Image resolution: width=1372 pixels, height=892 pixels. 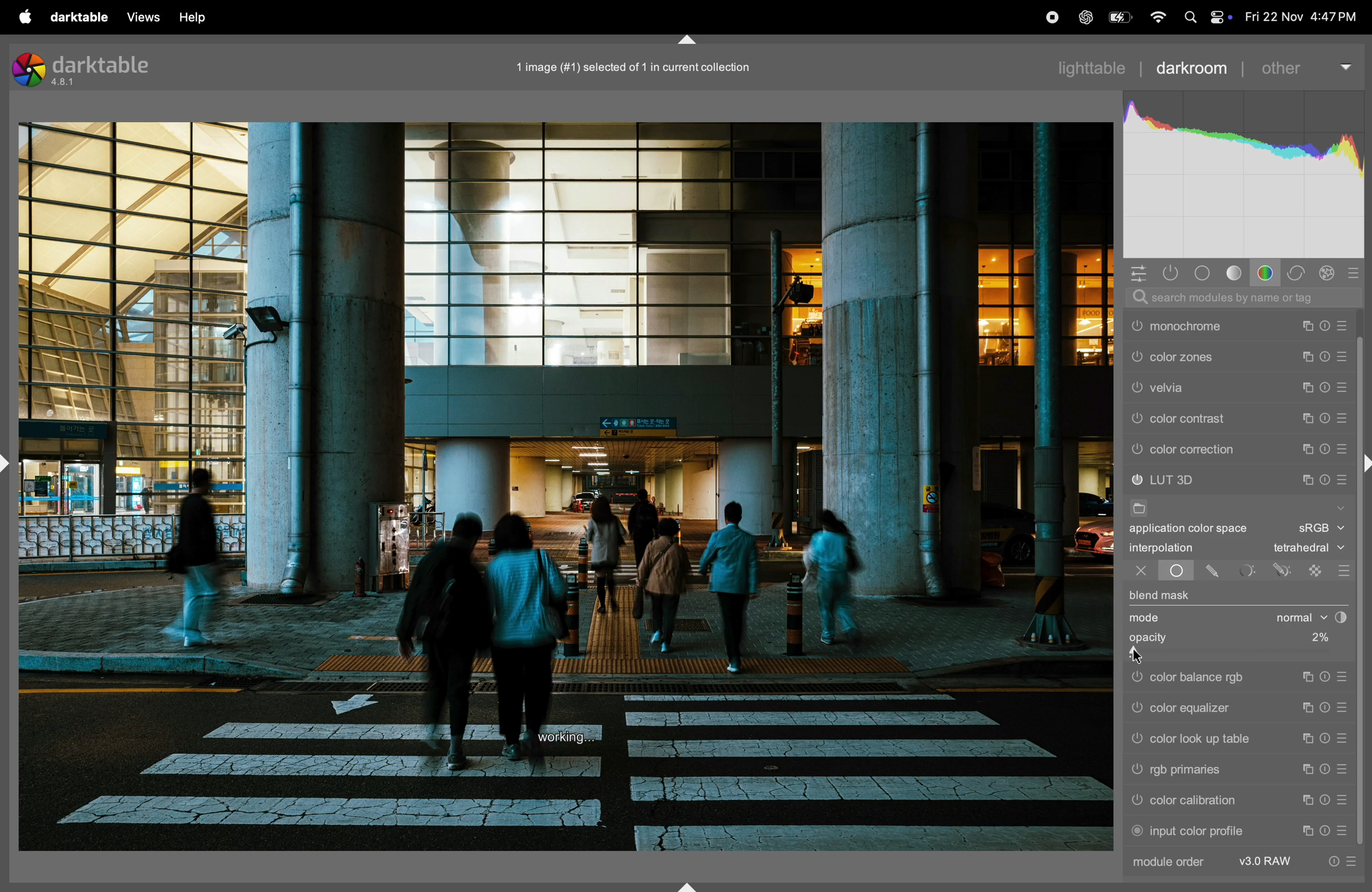 What do you see at coordinates (1309, 619) in the screenshot?
I see `normal` at bounding box center [1309, 619].